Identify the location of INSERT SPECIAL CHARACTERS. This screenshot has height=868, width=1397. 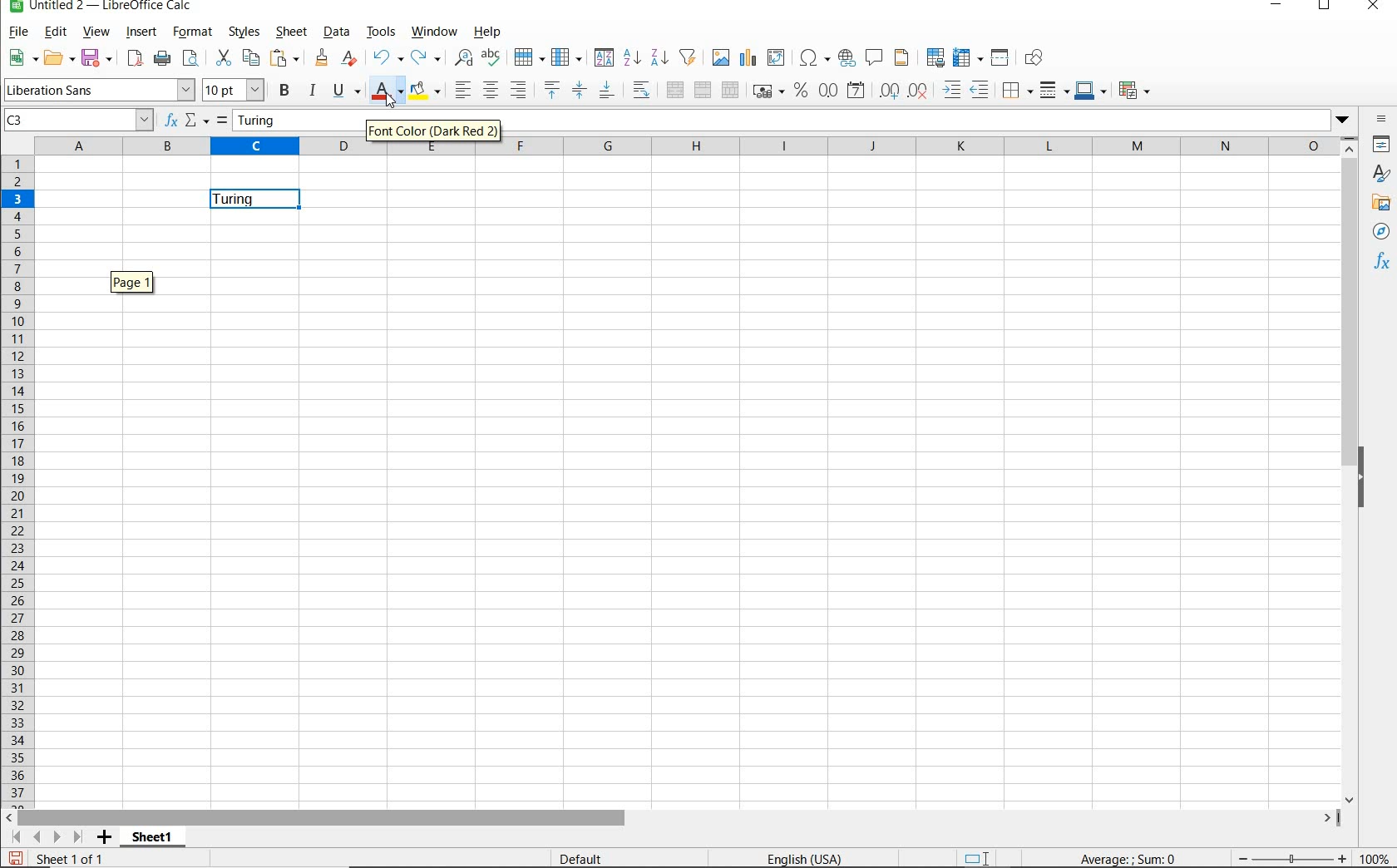
(814, 59).